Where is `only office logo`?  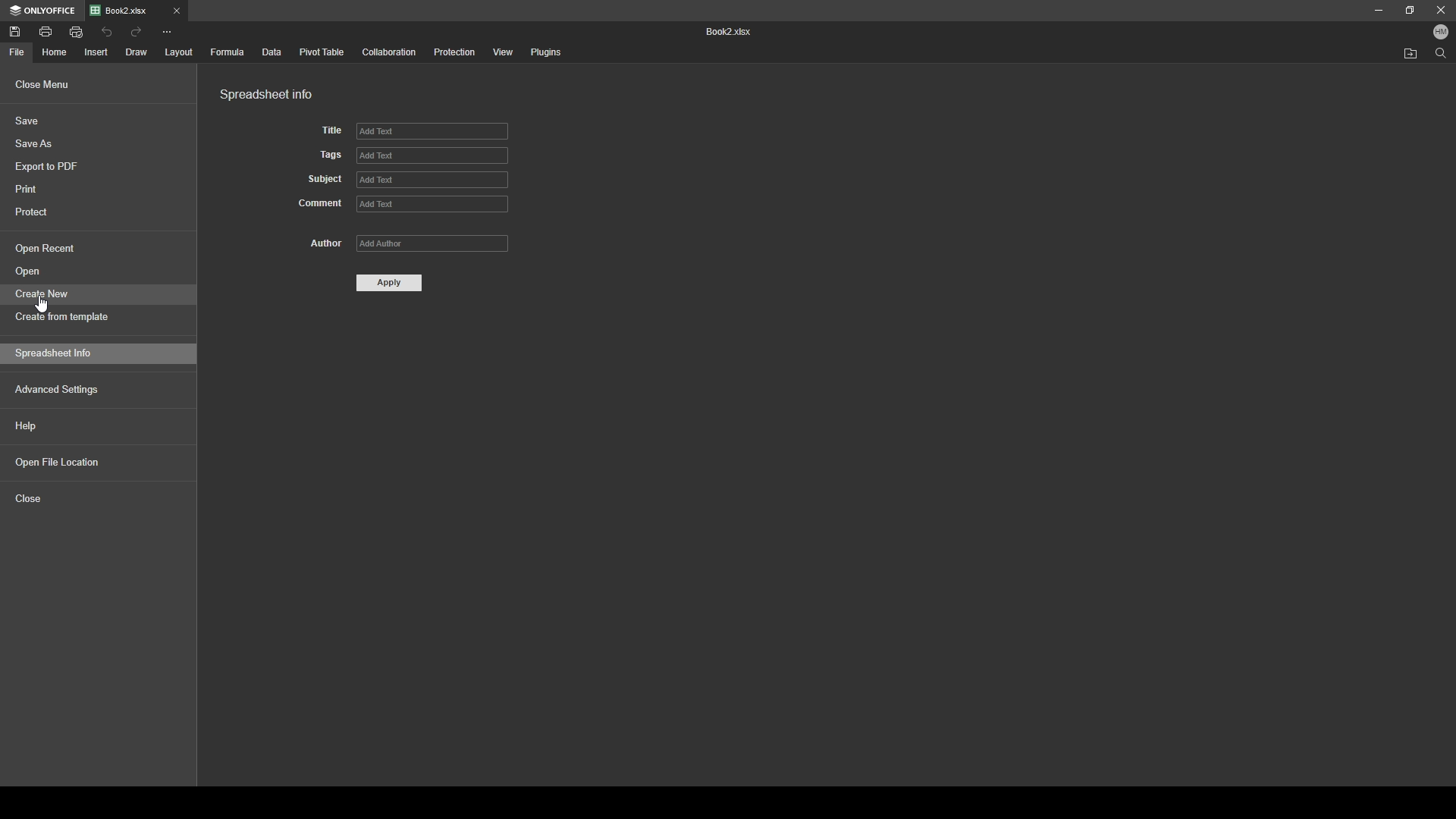
only office logo is located at coordinates (13, 11).